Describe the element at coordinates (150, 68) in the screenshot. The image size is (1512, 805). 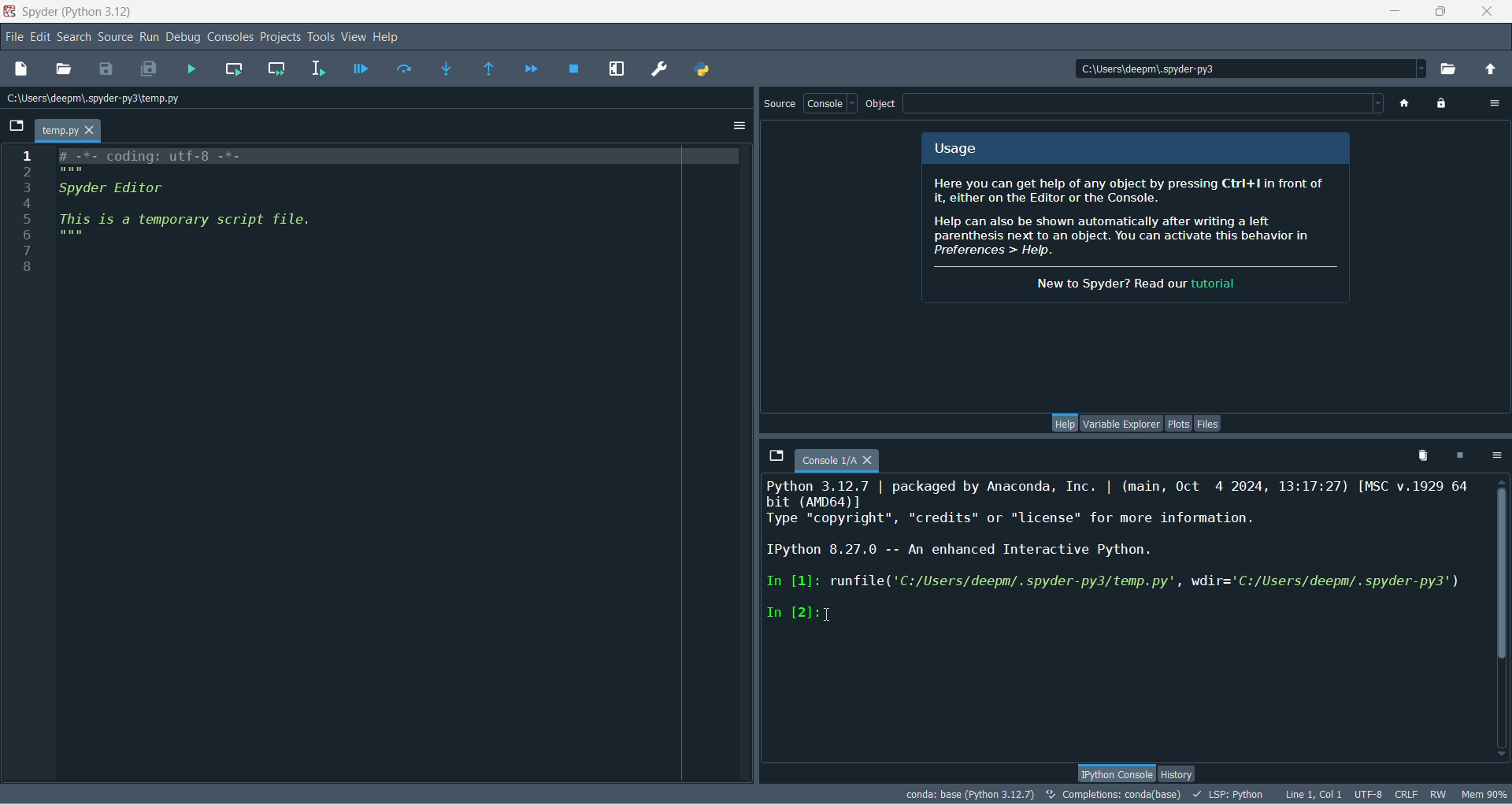
I see `save all files` at that location.